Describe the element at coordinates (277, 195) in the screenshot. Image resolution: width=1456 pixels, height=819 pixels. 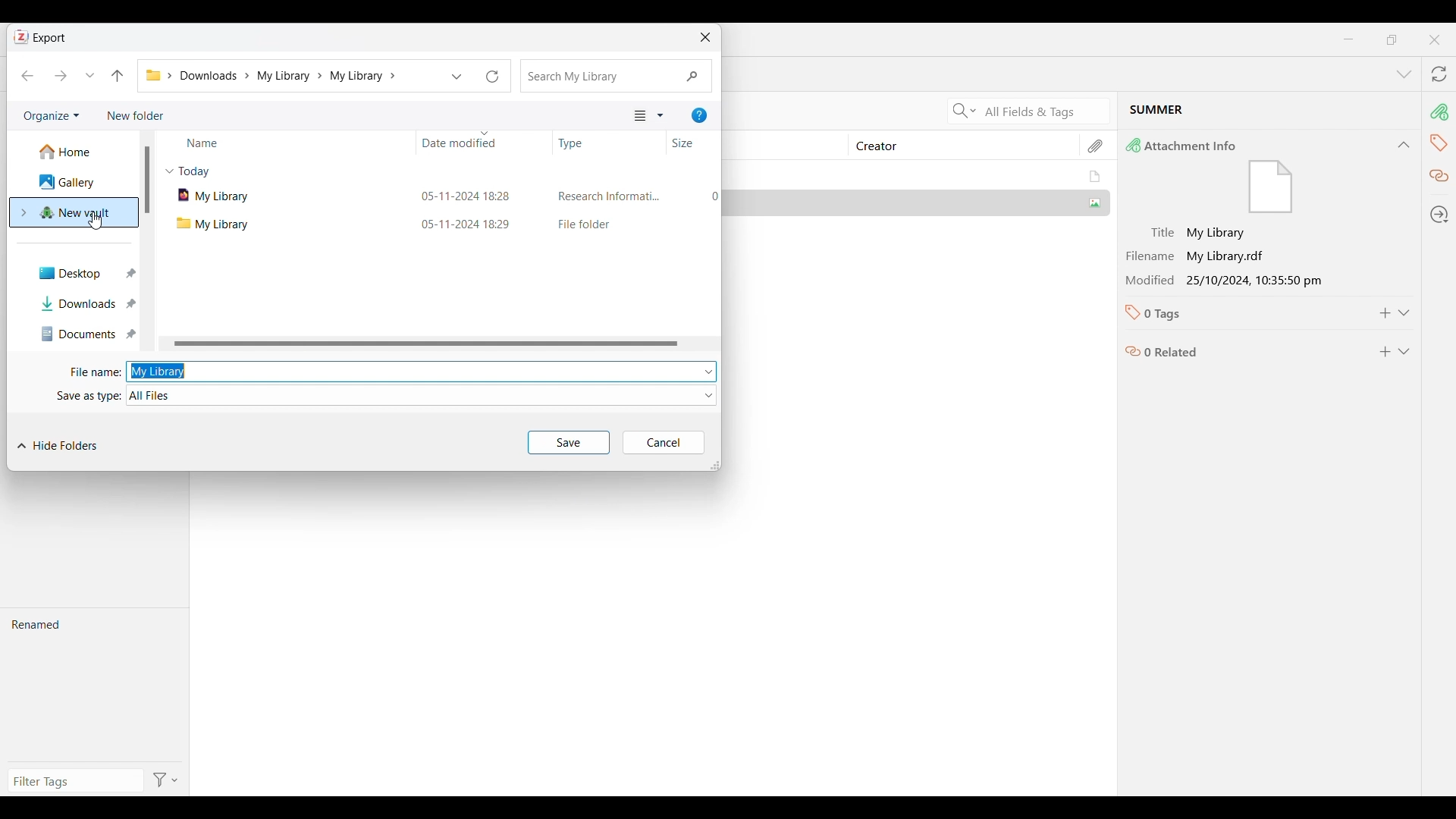
I see `My Library` at that location.